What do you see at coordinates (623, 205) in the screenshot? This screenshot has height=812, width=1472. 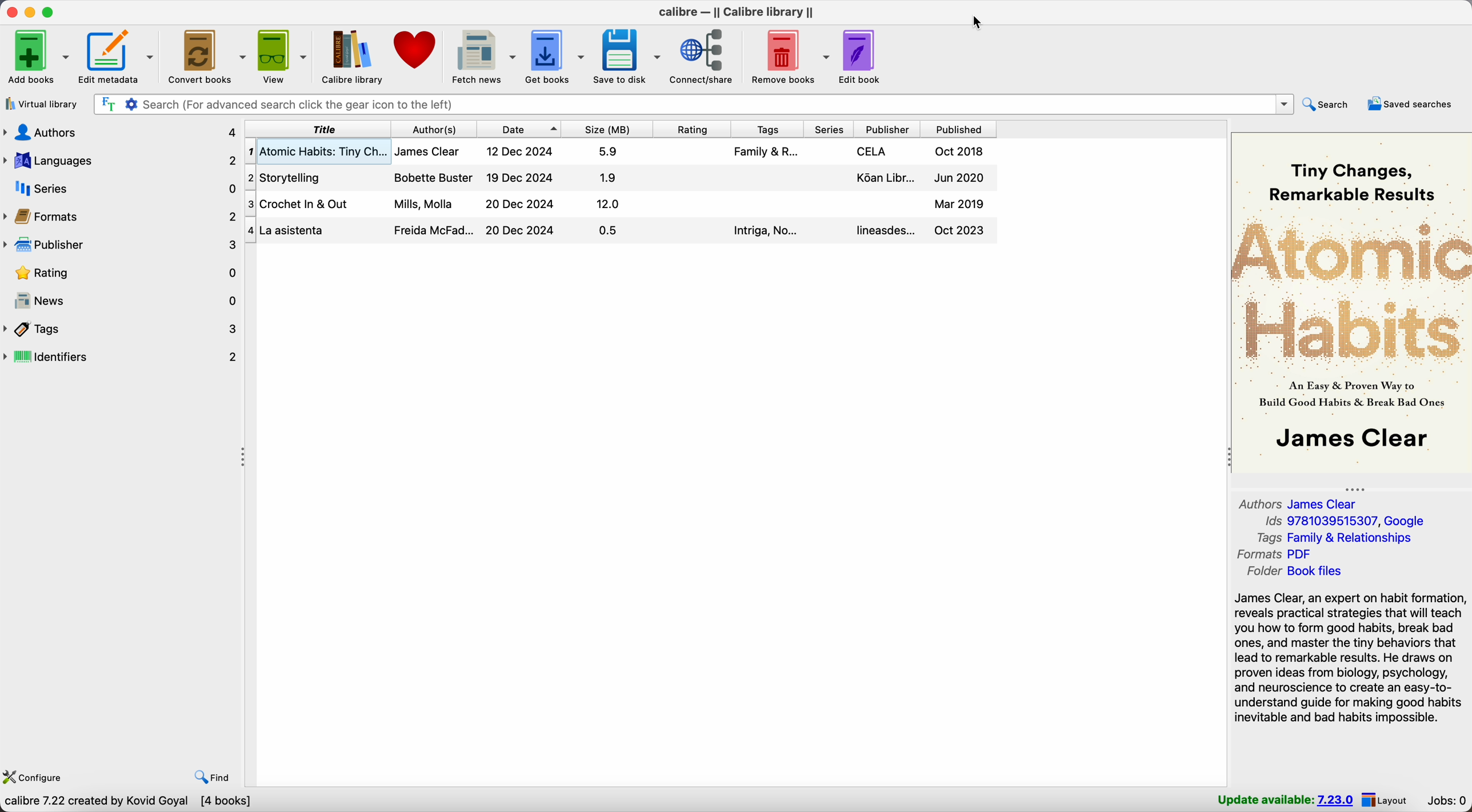 I see `Crochet In & Out book` at bounding box center [623, 205].